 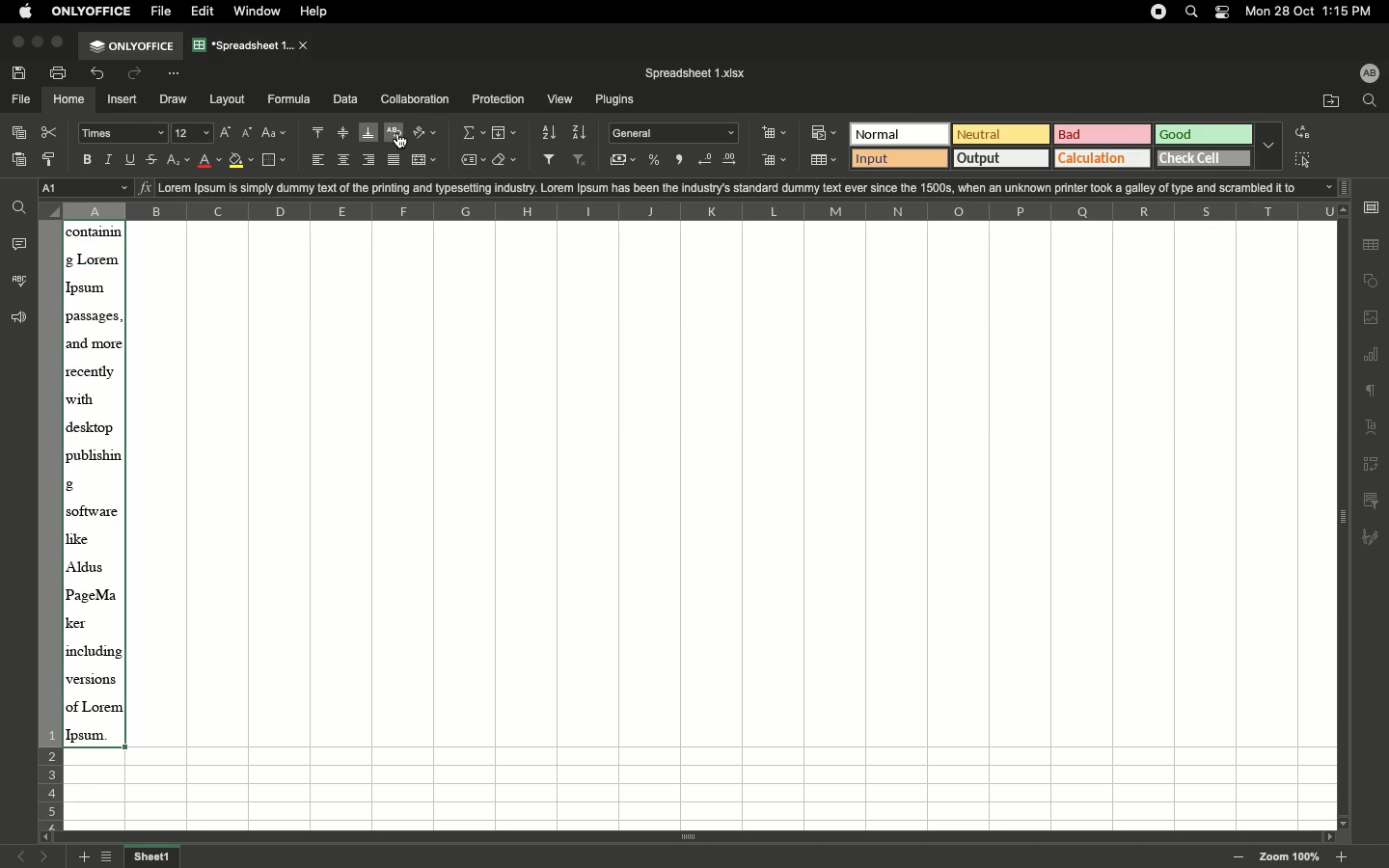 What do you see at coordinates (1370, 467) in the screenshot?
I see `pivot` at bounding box center [1370, 467].